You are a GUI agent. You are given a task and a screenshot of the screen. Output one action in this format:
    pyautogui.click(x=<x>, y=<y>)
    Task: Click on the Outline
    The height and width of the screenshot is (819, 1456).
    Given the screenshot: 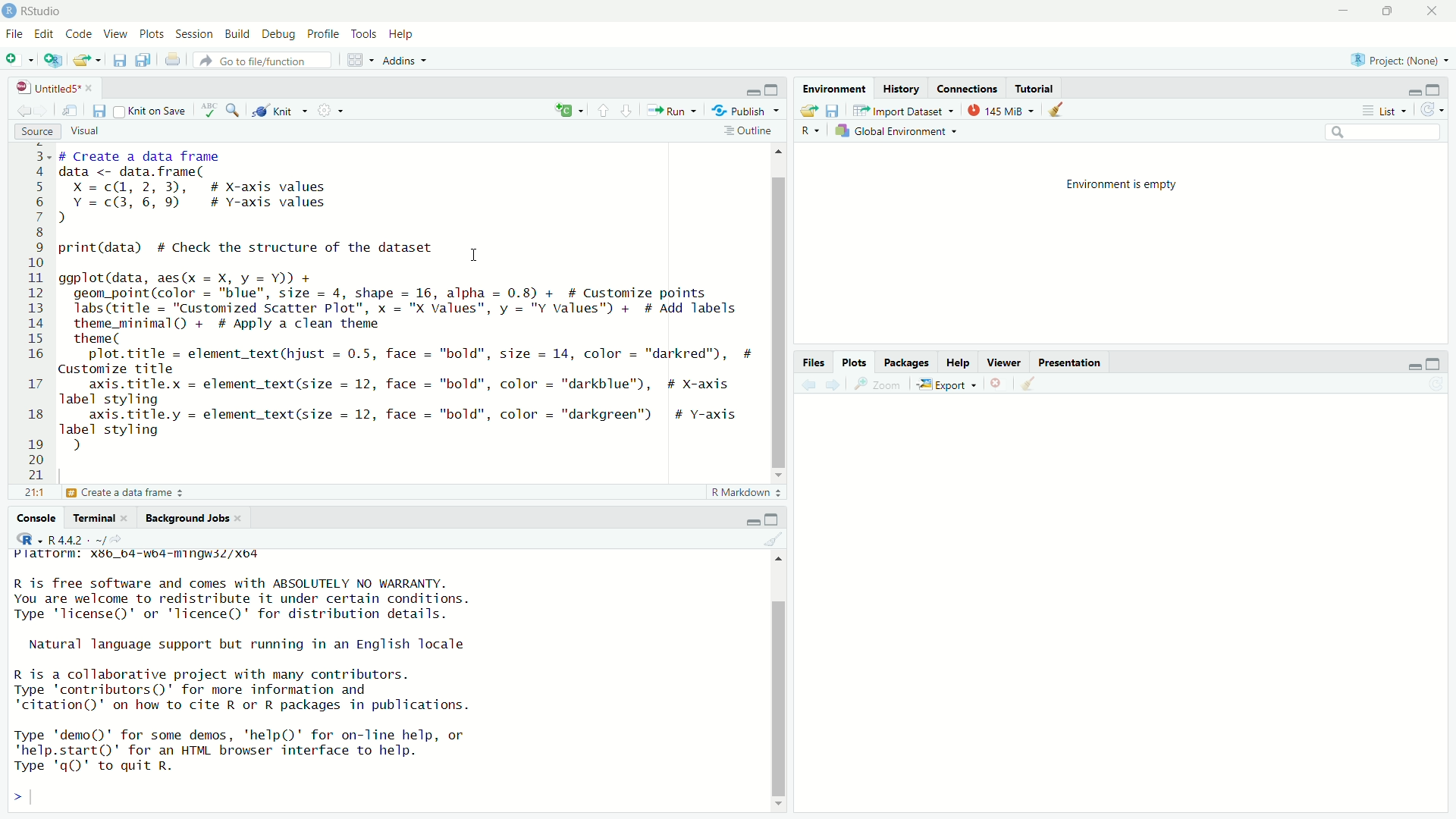 What is the action you would take?
    pyautogui.click(x=748, y=133)
    